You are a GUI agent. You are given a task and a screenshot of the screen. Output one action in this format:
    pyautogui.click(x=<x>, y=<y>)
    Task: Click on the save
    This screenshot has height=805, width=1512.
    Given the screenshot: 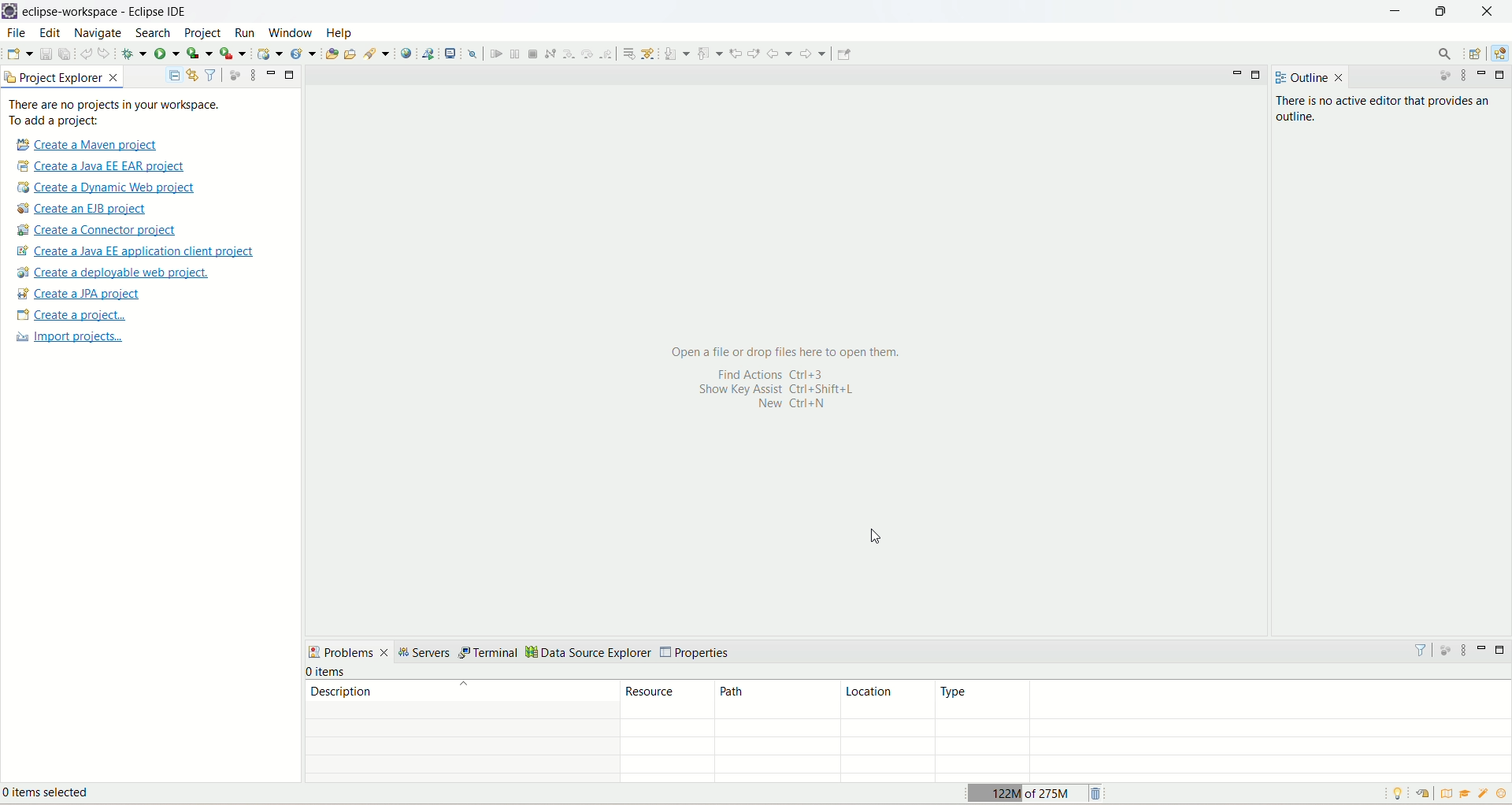 What is the action you would take?
    pyautogui.click(x=46, y=53)
    